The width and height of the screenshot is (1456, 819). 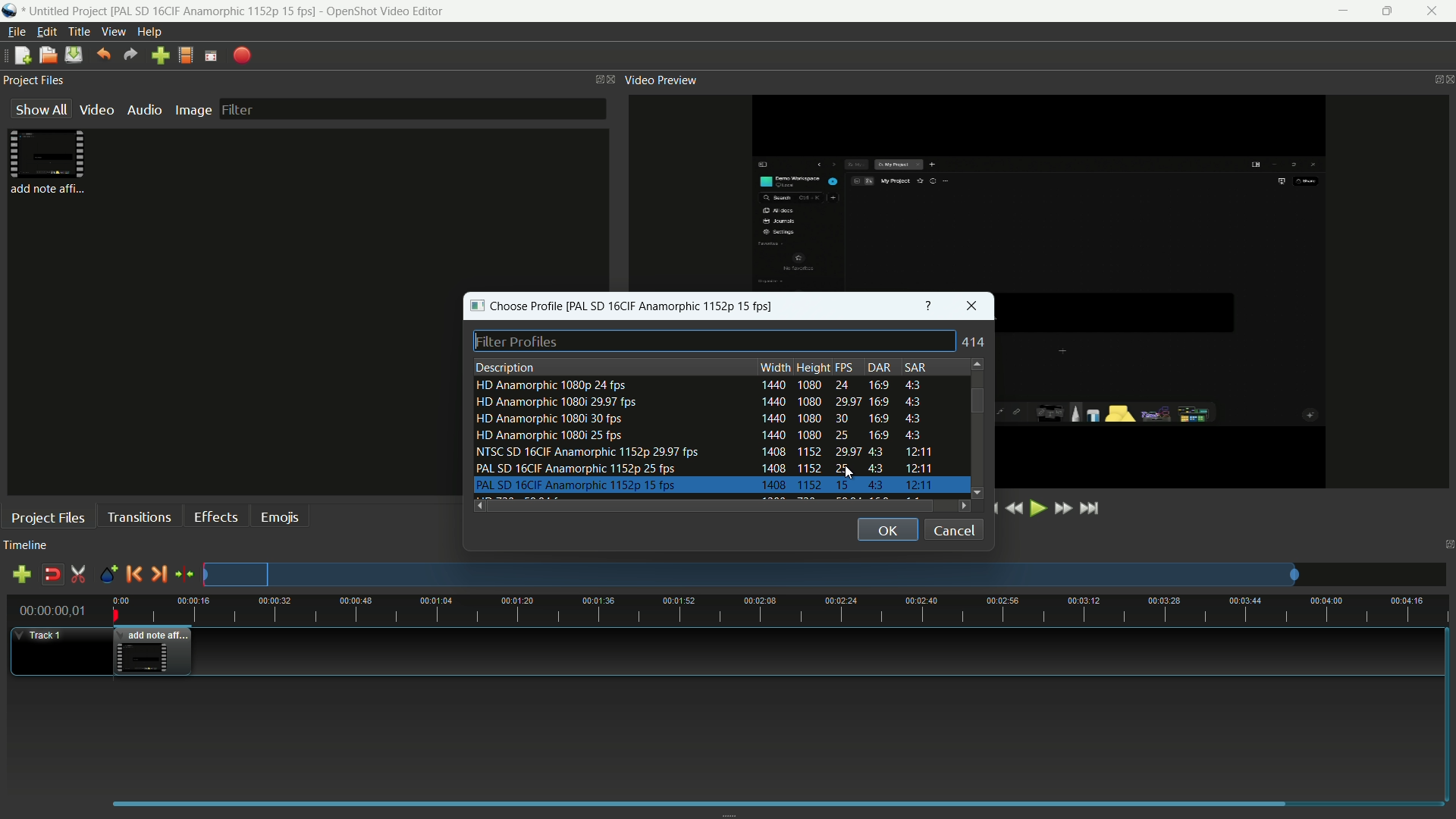 What do you see at coordinates (19, 575) in the screenshot?
I see `add track` at bounding box center [19, 575].